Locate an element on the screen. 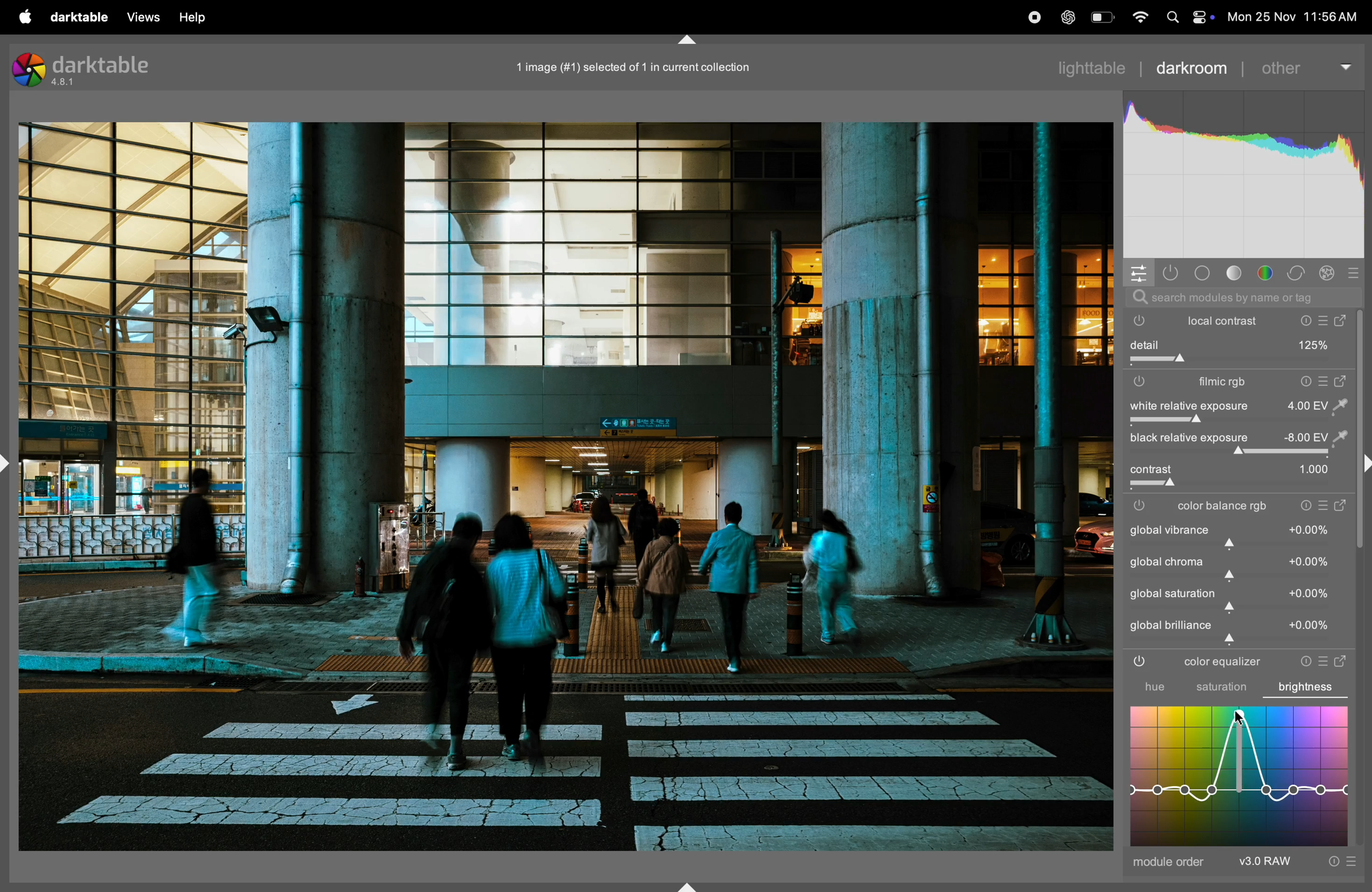  battery is located at coordinates (1101, 17).